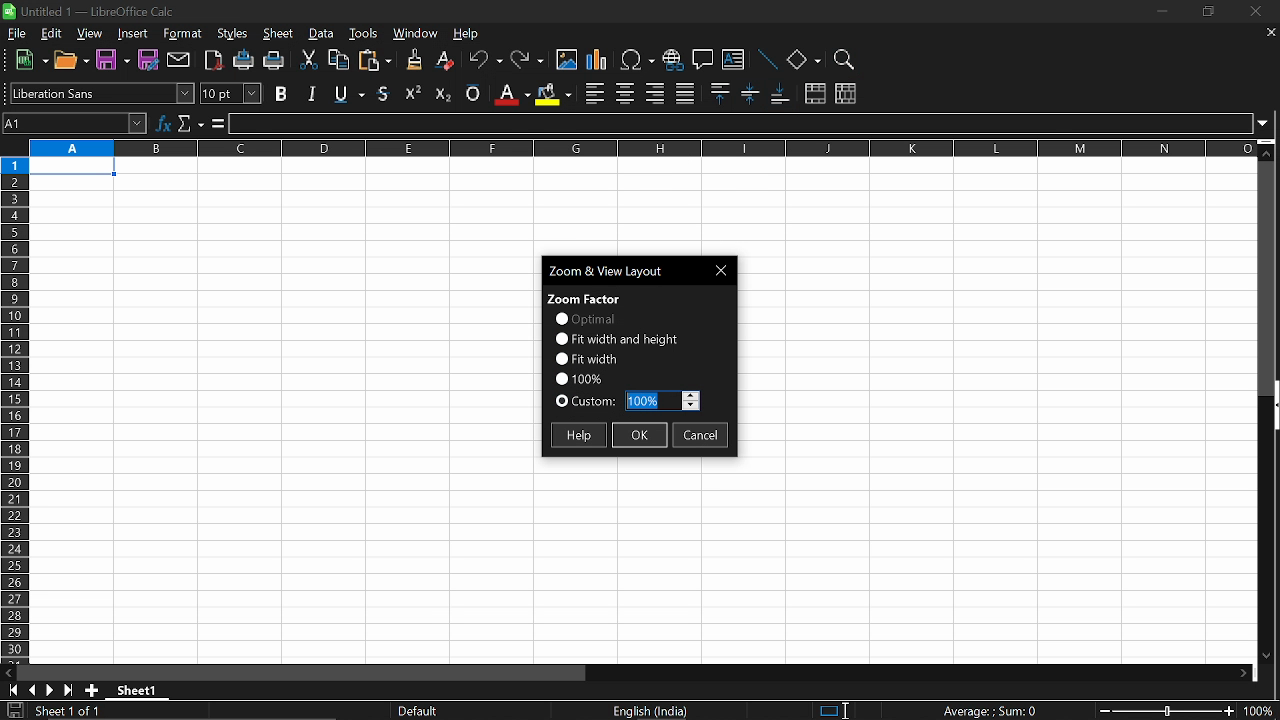  I want to click on copy, so click(337, 63).